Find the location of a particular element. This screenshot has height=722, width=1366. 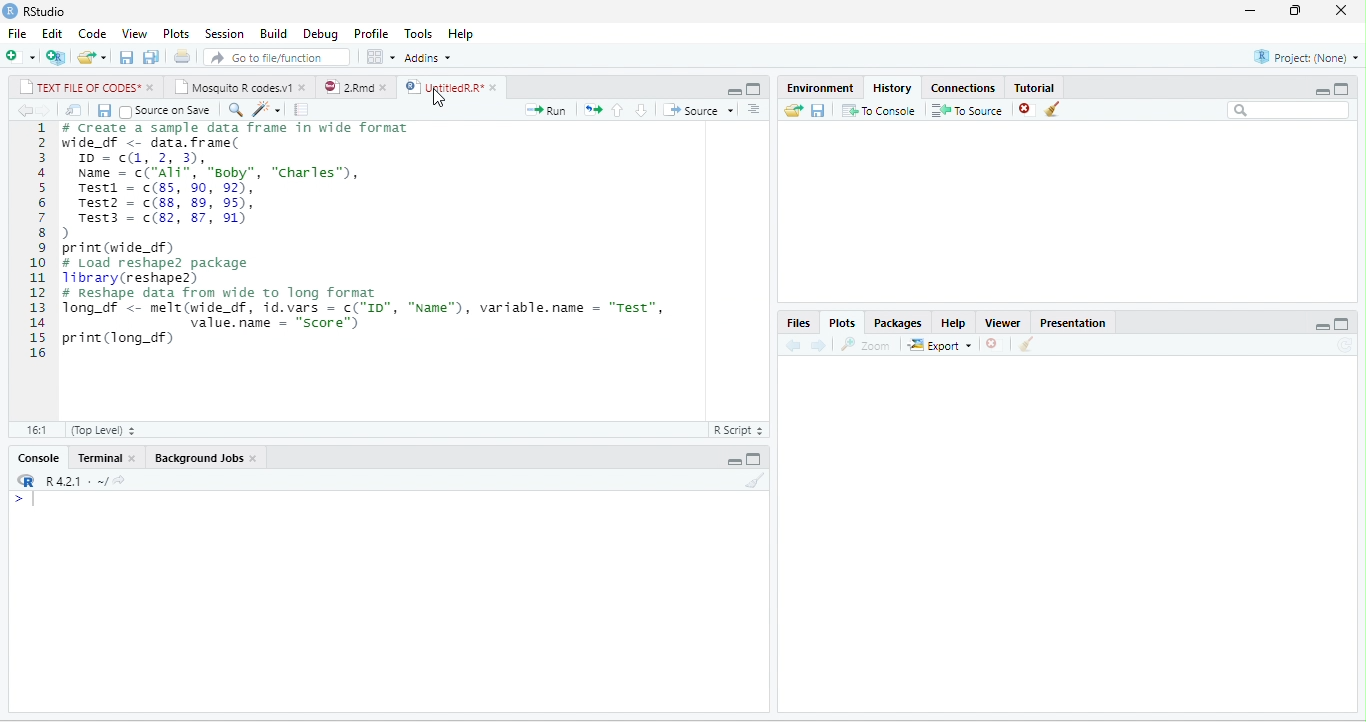

clear is located at coordinates (1053, 109).